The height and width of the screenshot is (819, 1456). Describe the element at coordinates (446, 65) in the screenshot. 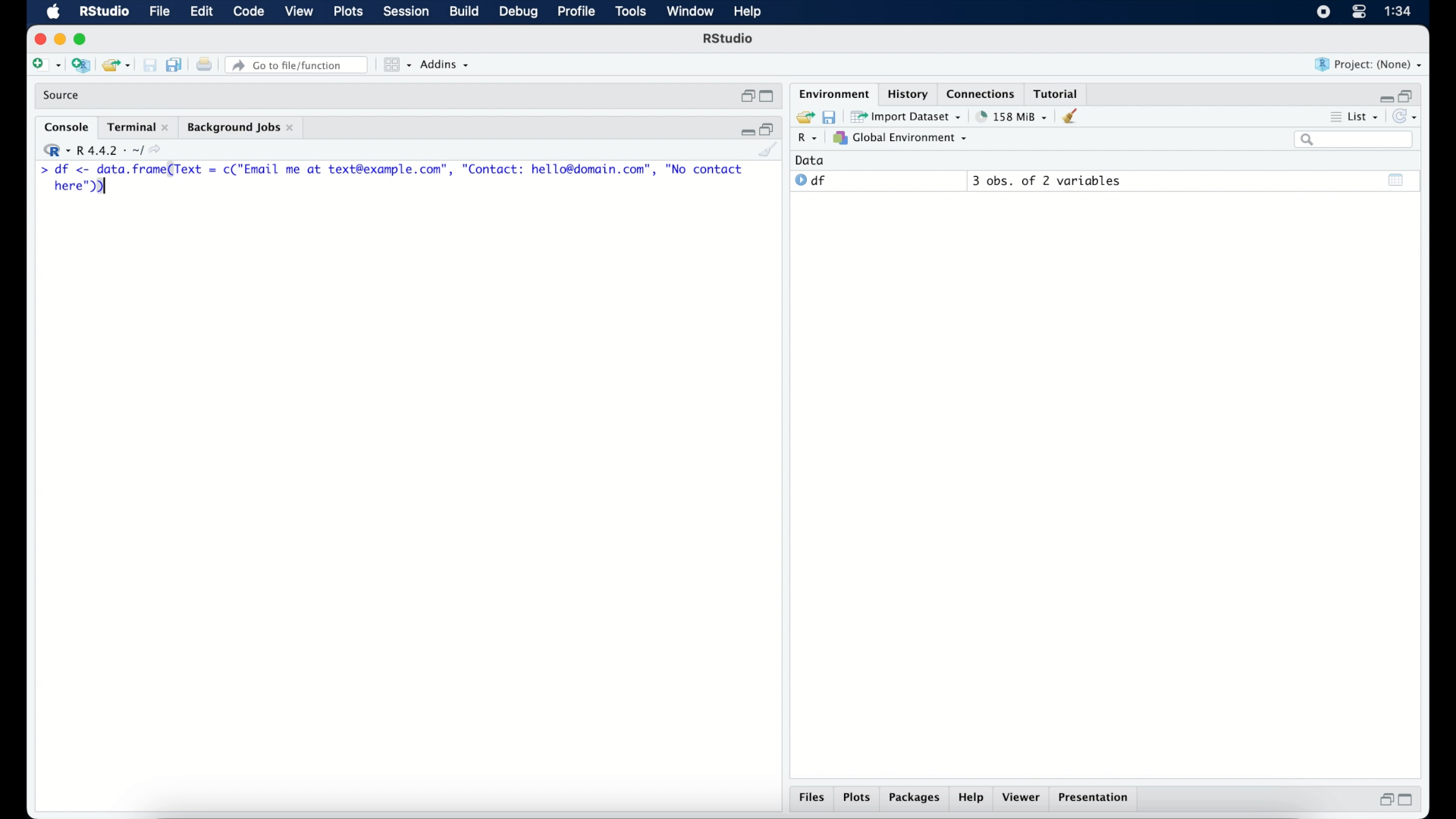

I see `addins` at that location.